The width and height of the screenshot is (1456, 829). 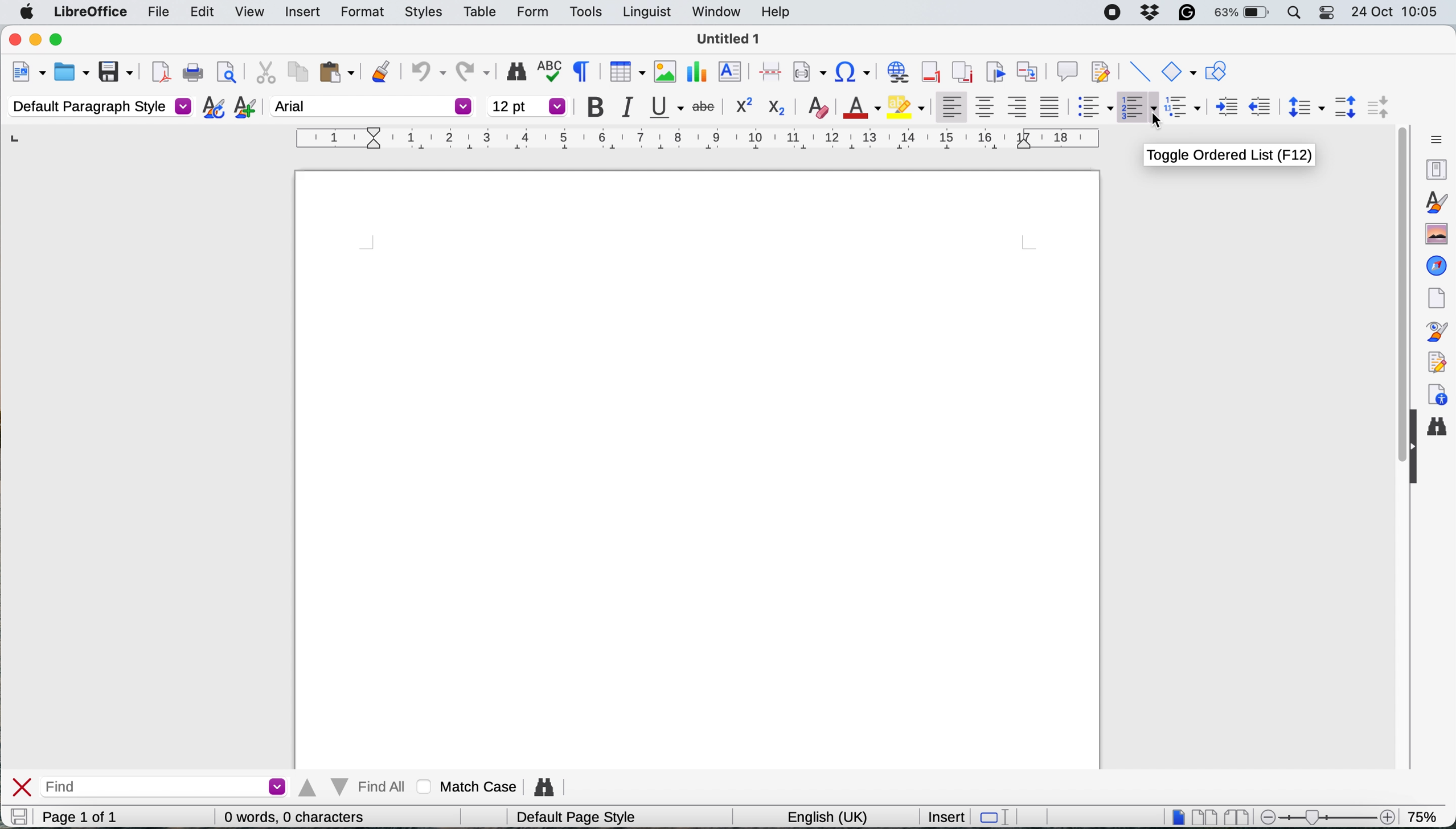 What do you see at coordinates (1178, 71) in the screenshot?
I see `basic shapes` at bounding box center [1178, 71].